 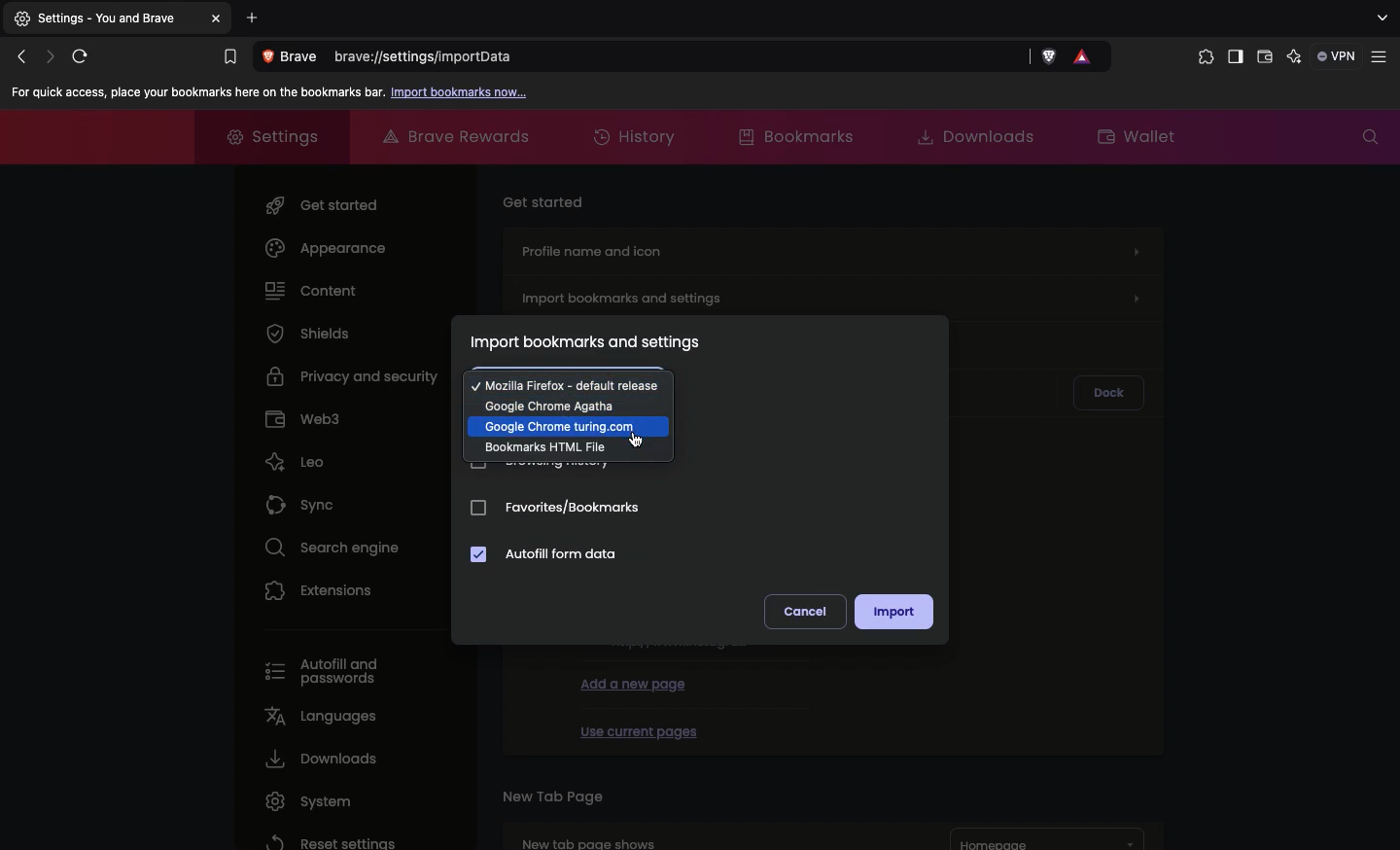 I want to click on Mozilla Firefox - default release, so click(x=567, y=382).